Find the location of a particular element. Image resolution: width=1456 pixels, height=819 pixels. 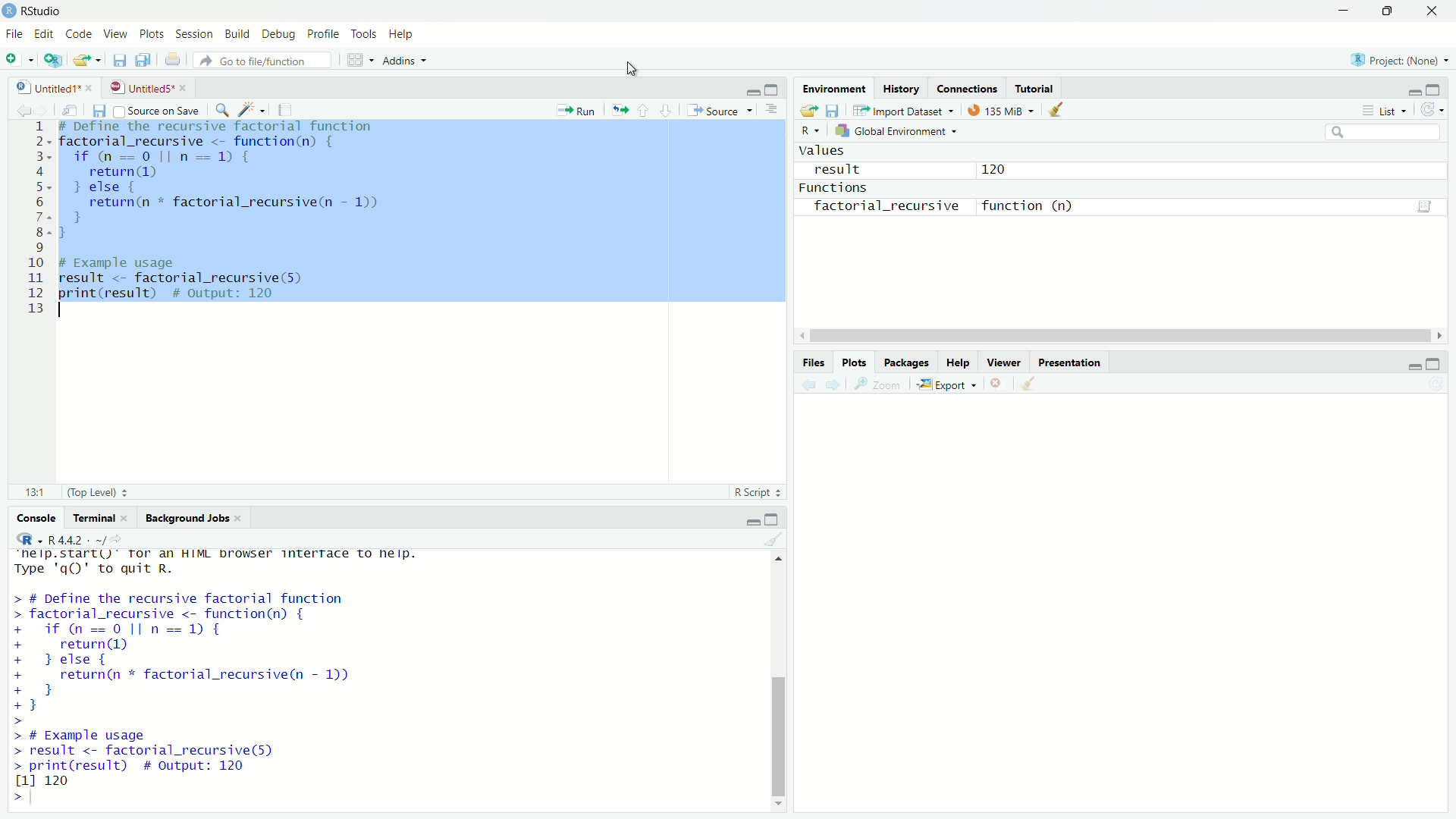

Zoom is located at coordinates (880, 383).